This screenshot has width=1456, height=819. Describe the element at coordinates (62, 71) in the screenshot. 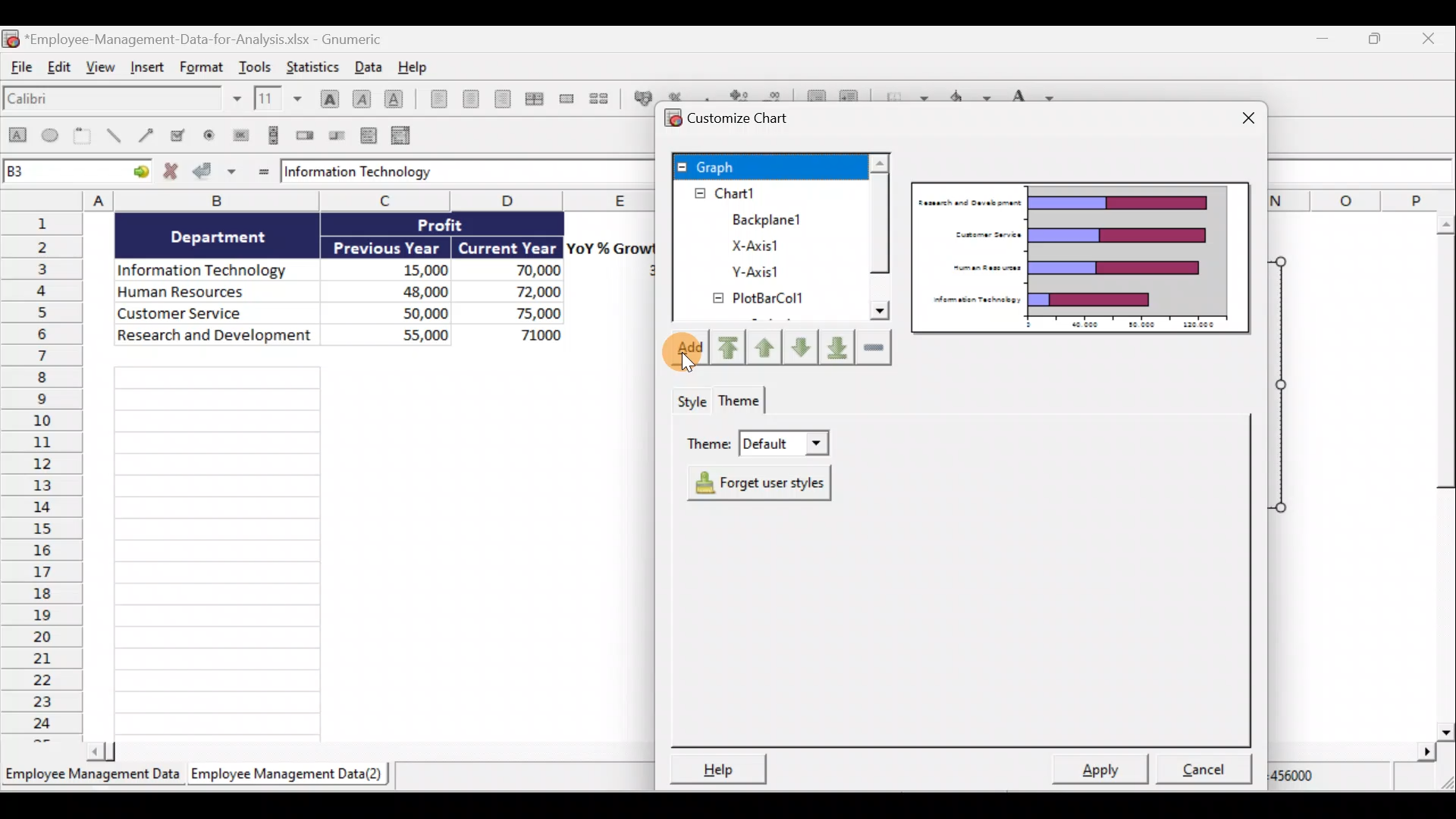

I see `Edit` at that location.